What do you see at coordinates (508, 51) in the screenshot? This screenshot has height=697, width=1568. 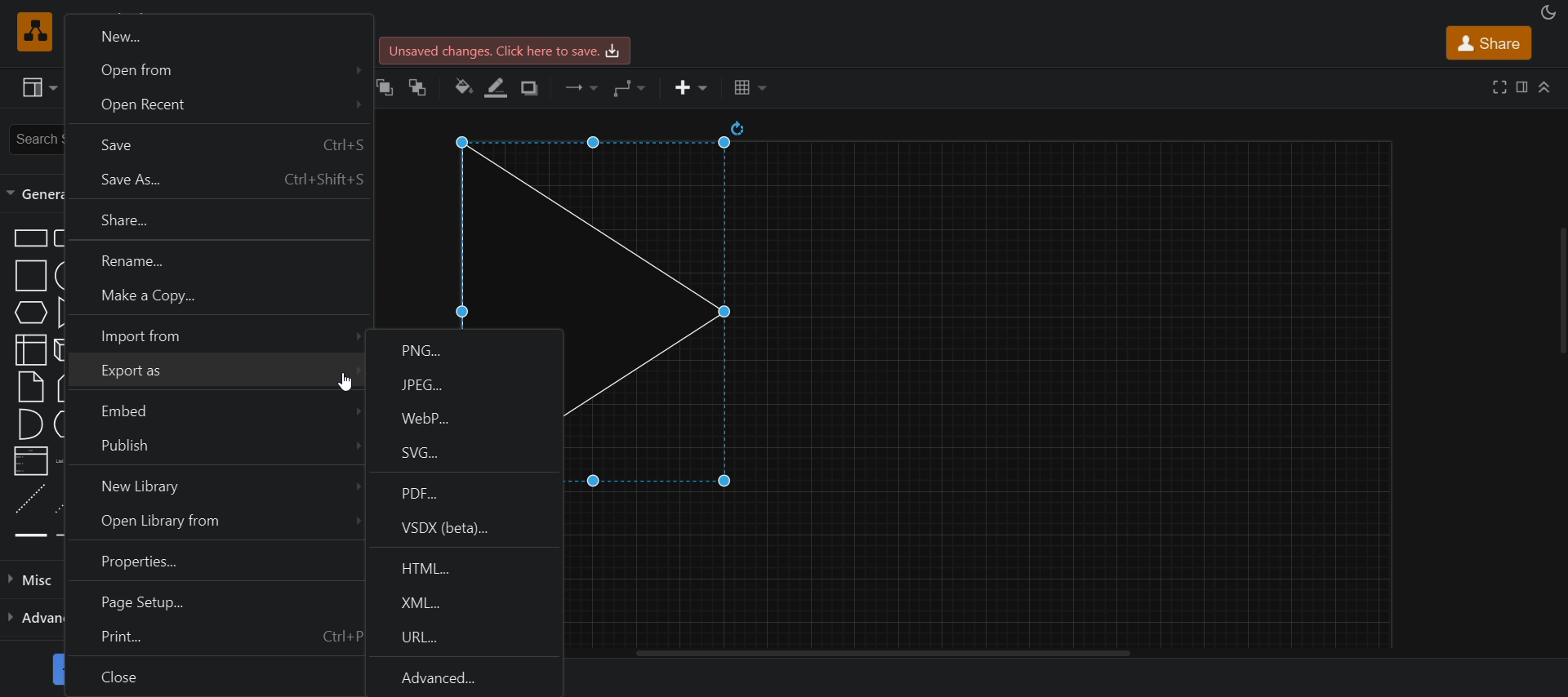 I see `save` at bounding box center [508, 51].